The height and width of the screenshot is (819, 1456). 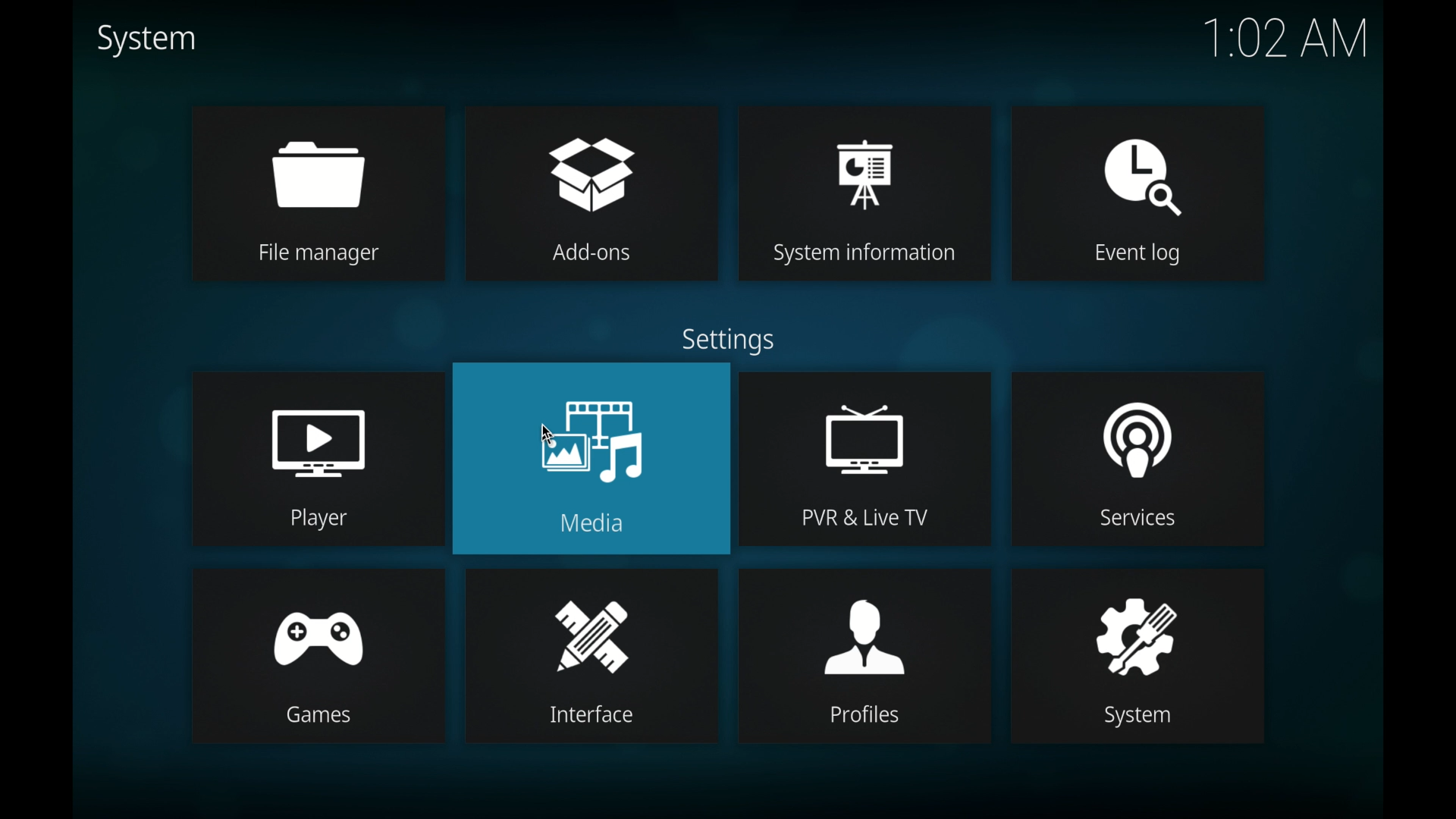 I want to click on Player, so click(x=318, y=519).